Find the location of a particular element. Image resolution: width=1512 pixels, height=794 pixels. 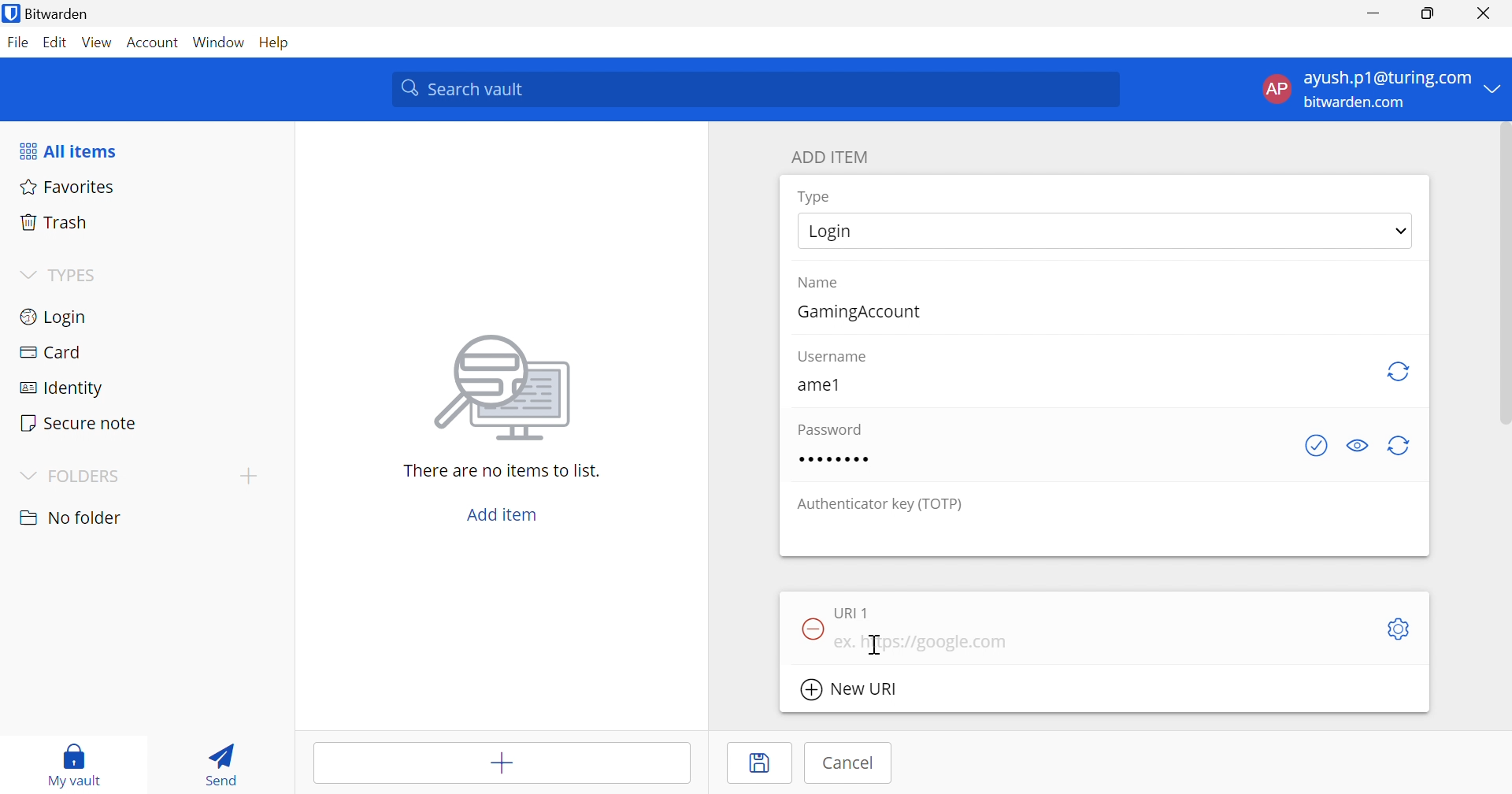

Drop Down is located at coordinates (27, 275).